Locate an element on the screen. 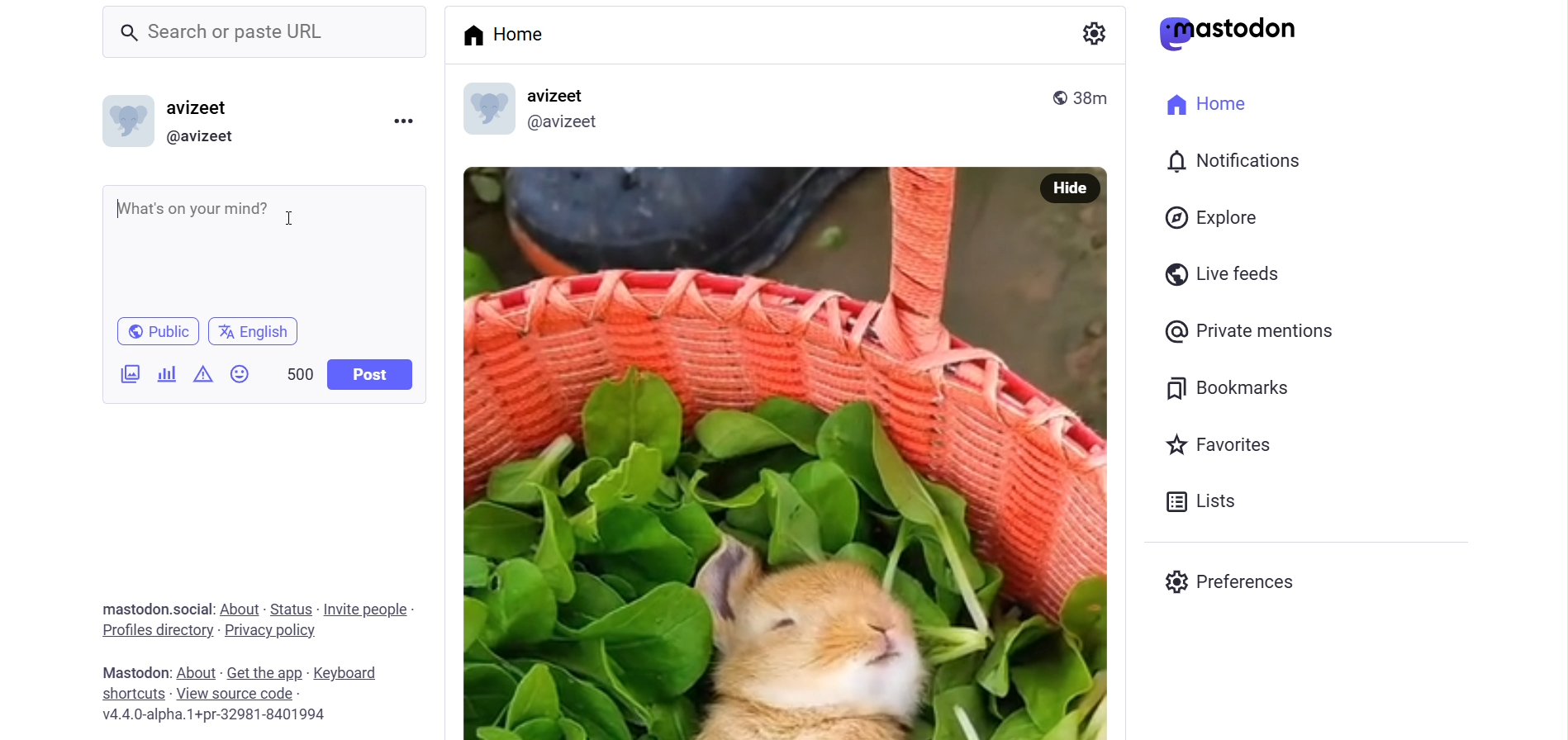 This screenshot has height=740, width=1568. menu is located at coordinates (402, 122).